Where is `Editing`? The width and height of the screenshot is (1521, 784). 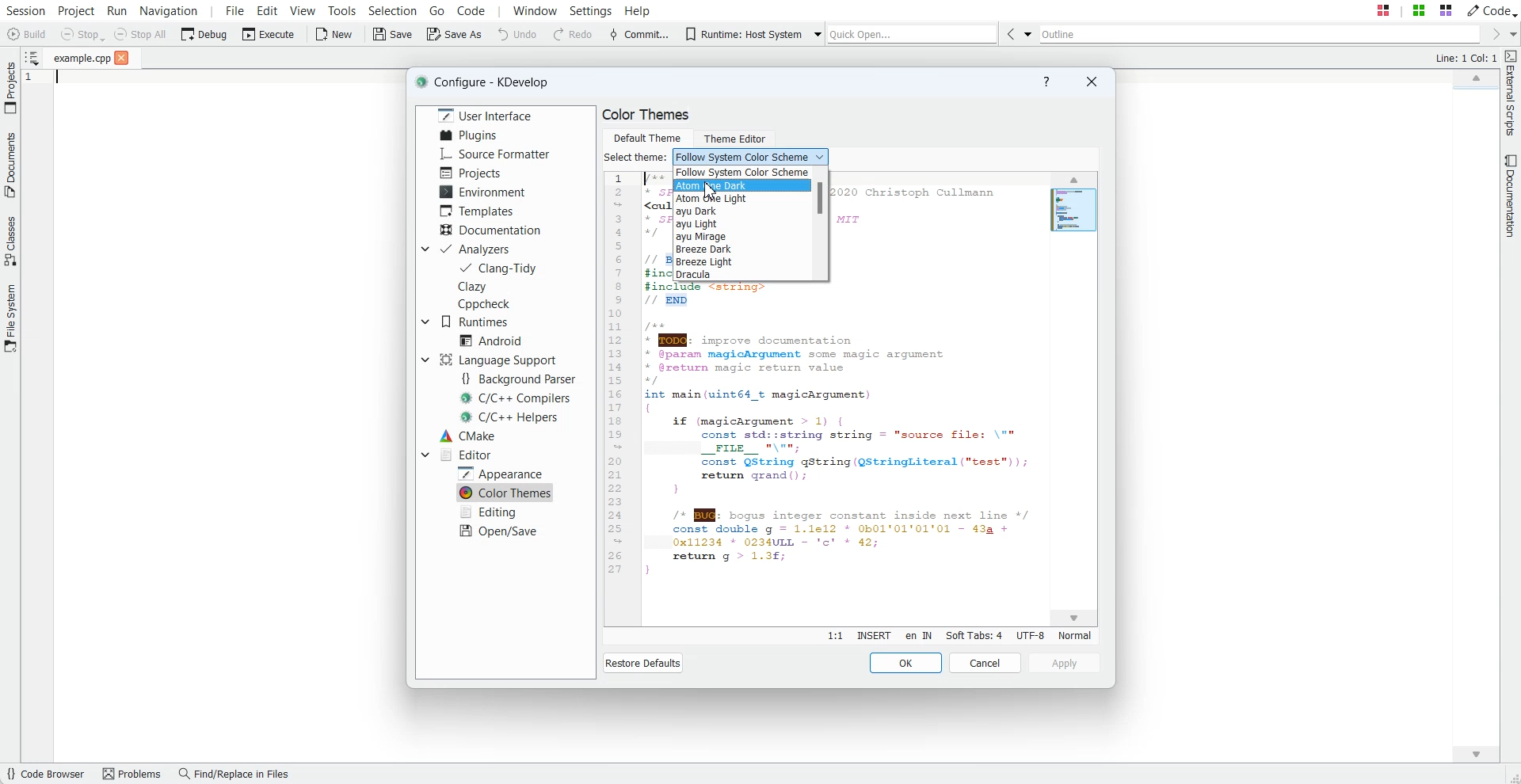
Editing is located at coordinates (491, 512).